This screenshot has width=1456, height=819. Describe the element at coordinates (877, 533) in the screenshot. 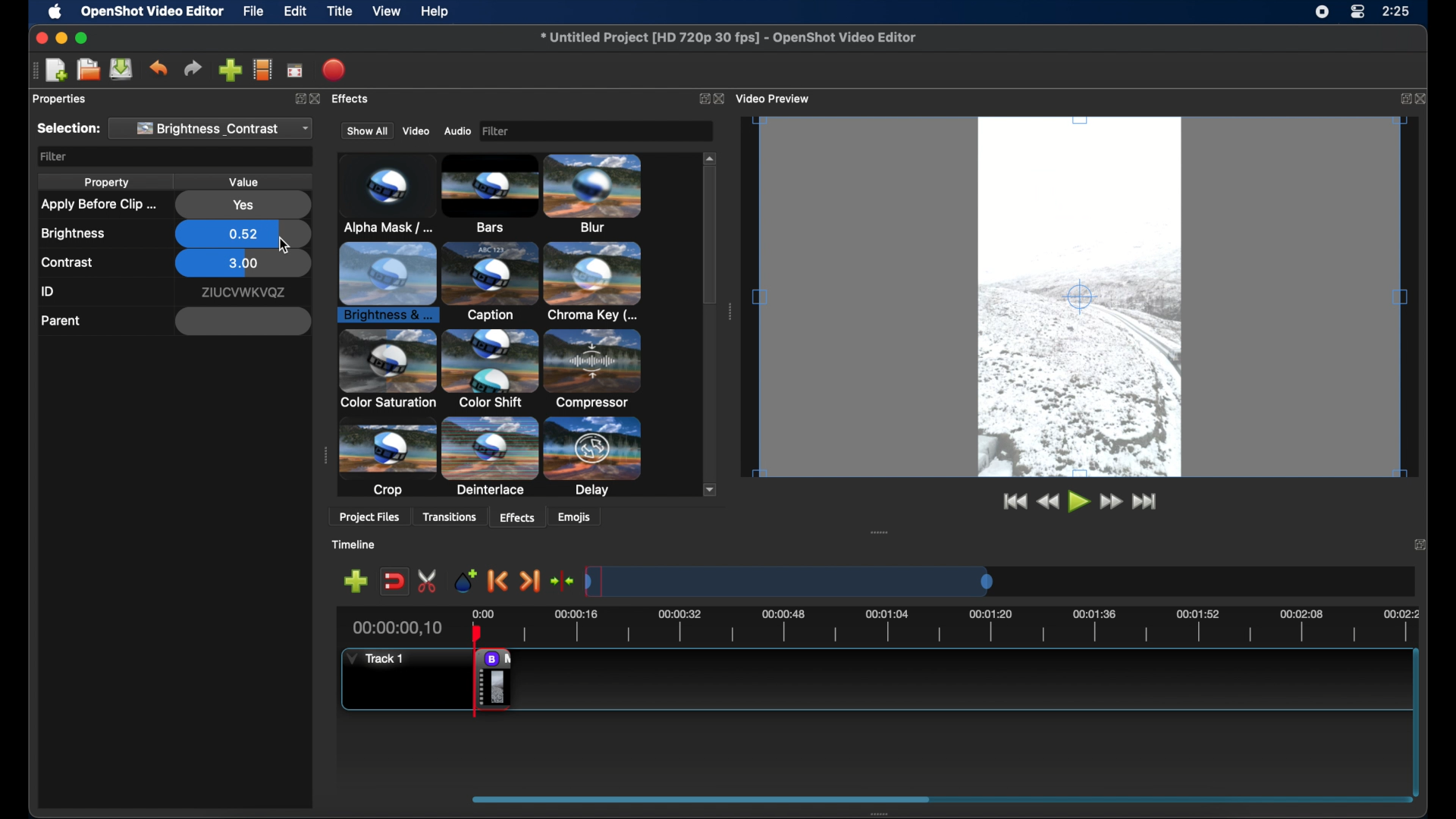

I see `drag handle` at that location.